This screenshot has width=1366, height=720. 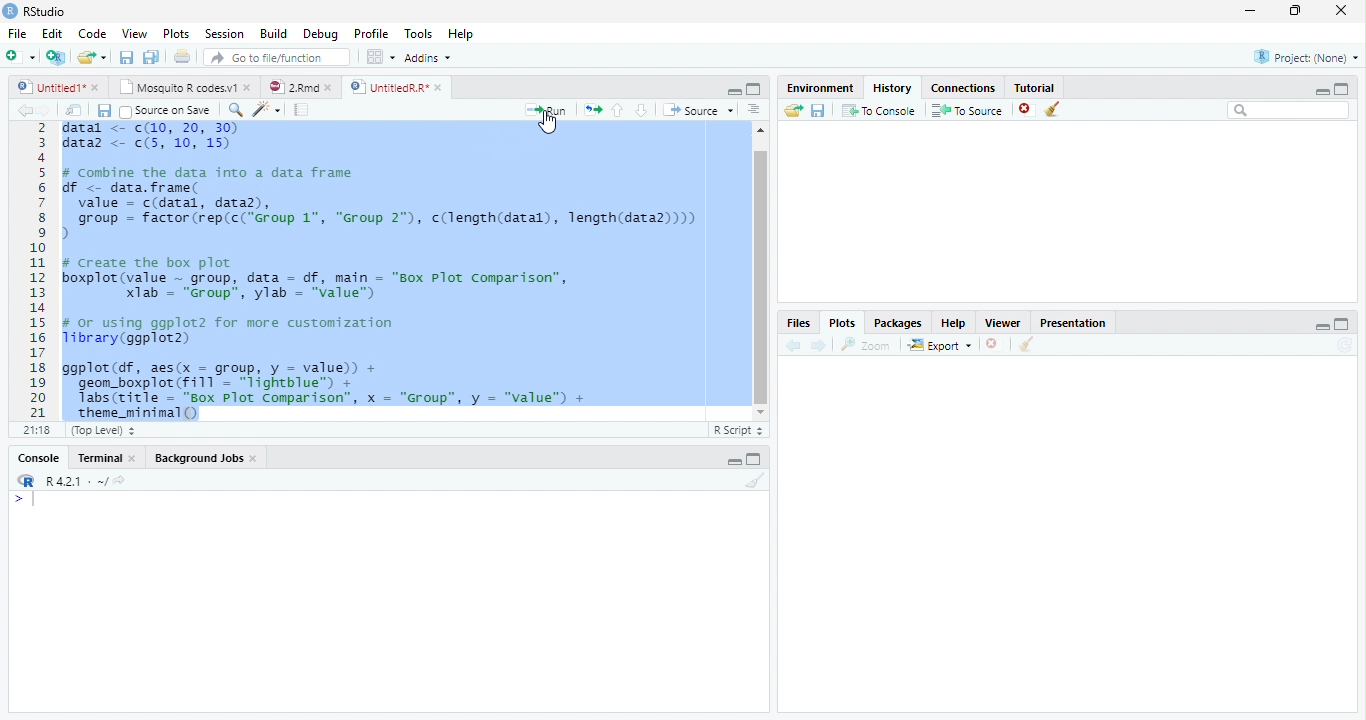 I want to click on Previous plot, so click(x=793, y=345).